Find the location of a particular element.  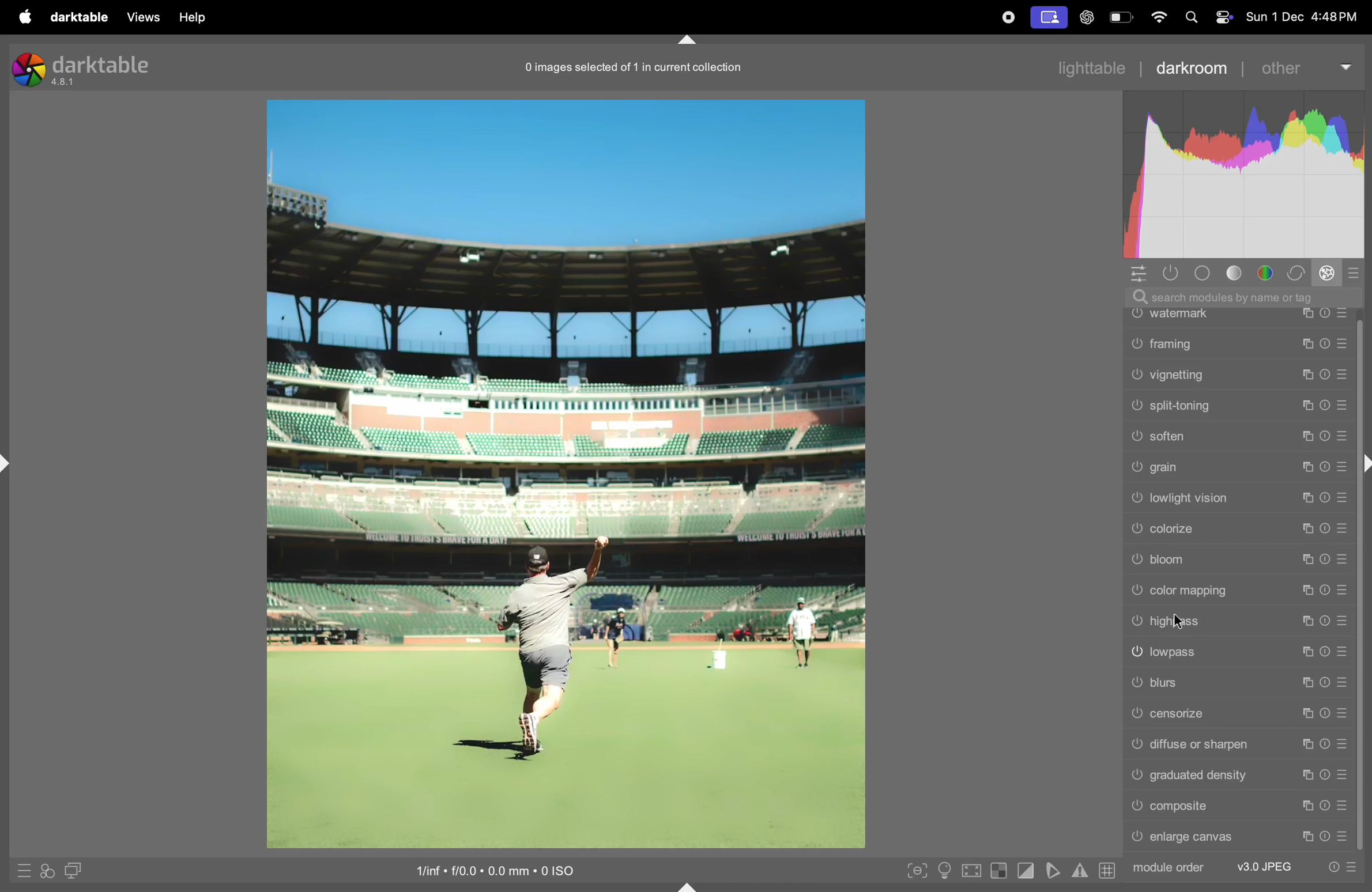

apple widgets is located at coordinates (1209, 17).